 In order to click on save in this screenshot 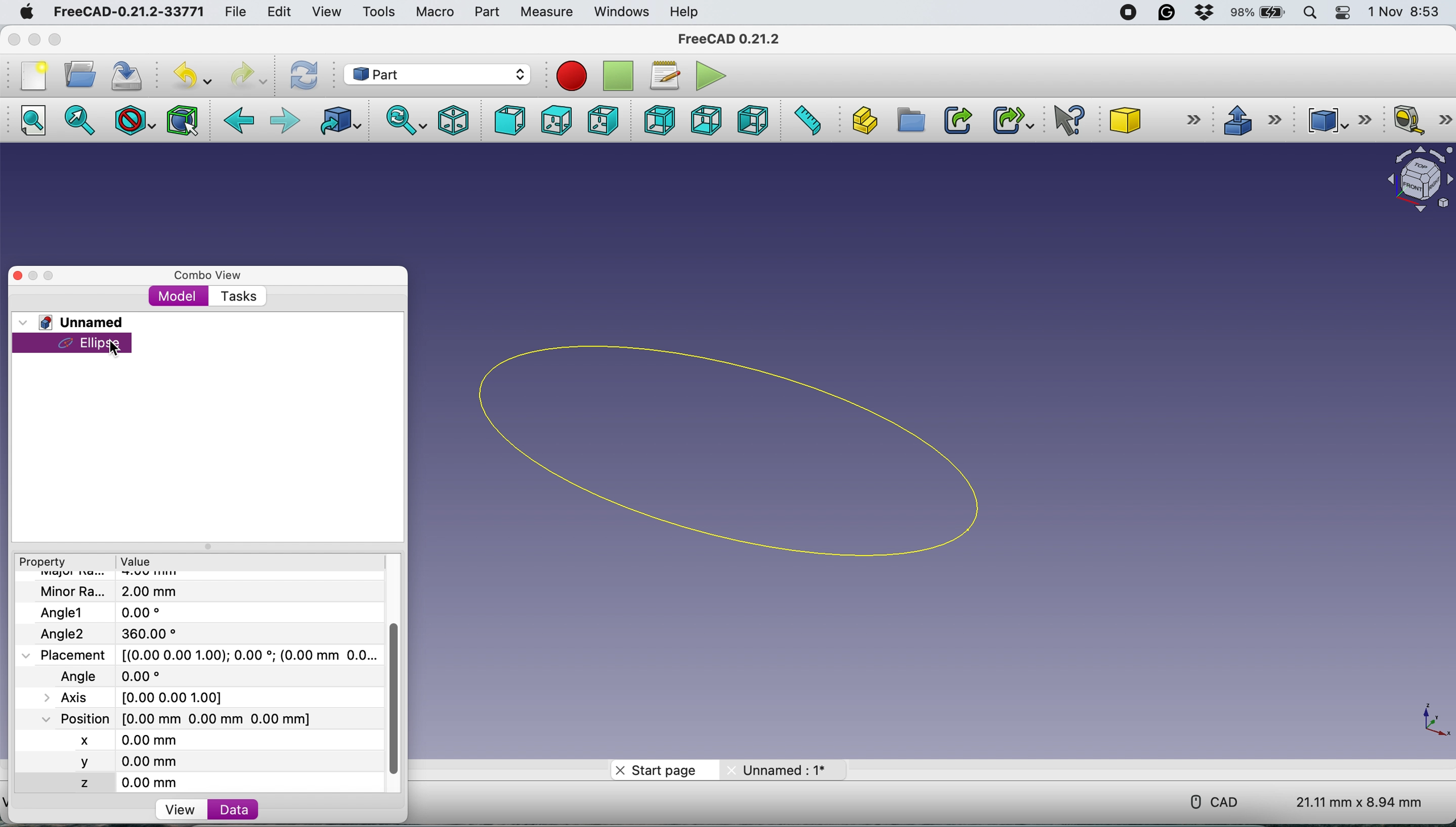, I will do `click(130, 74)`.